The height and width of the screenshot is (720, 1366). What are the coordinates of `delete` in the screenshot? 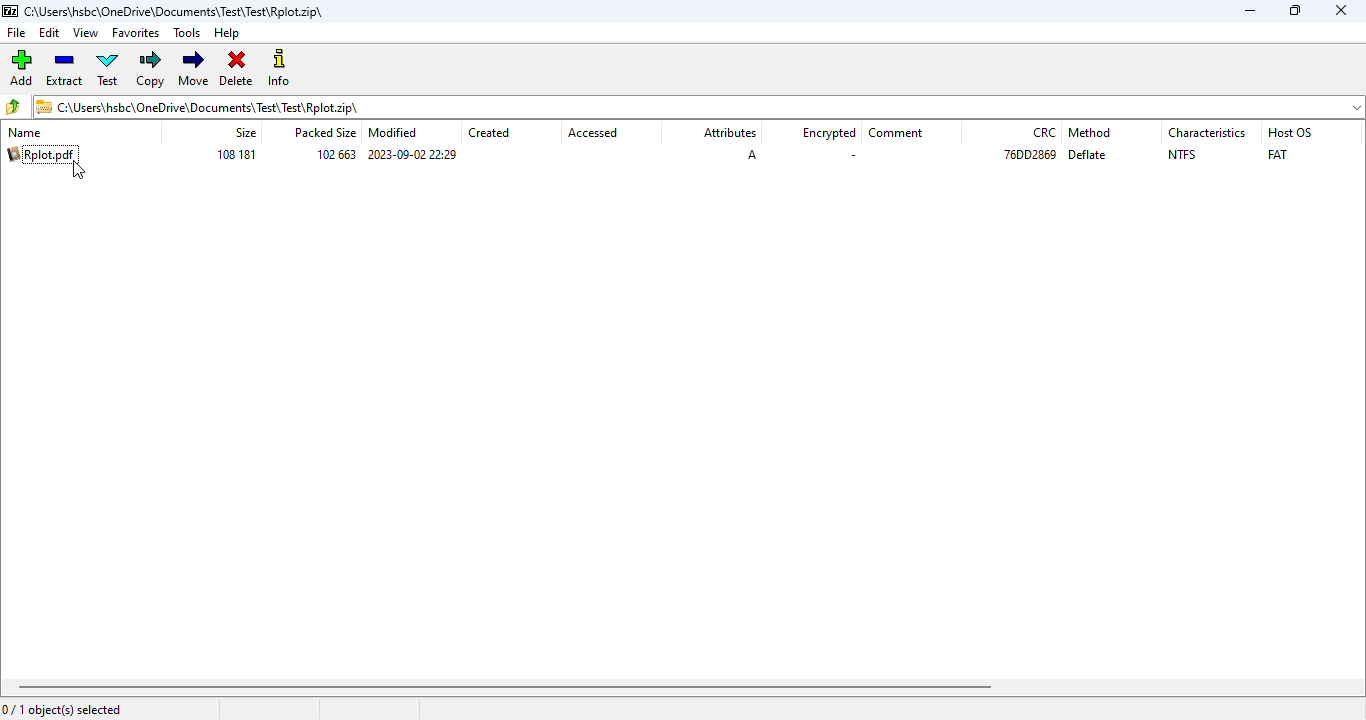 It's located at (236, 66).